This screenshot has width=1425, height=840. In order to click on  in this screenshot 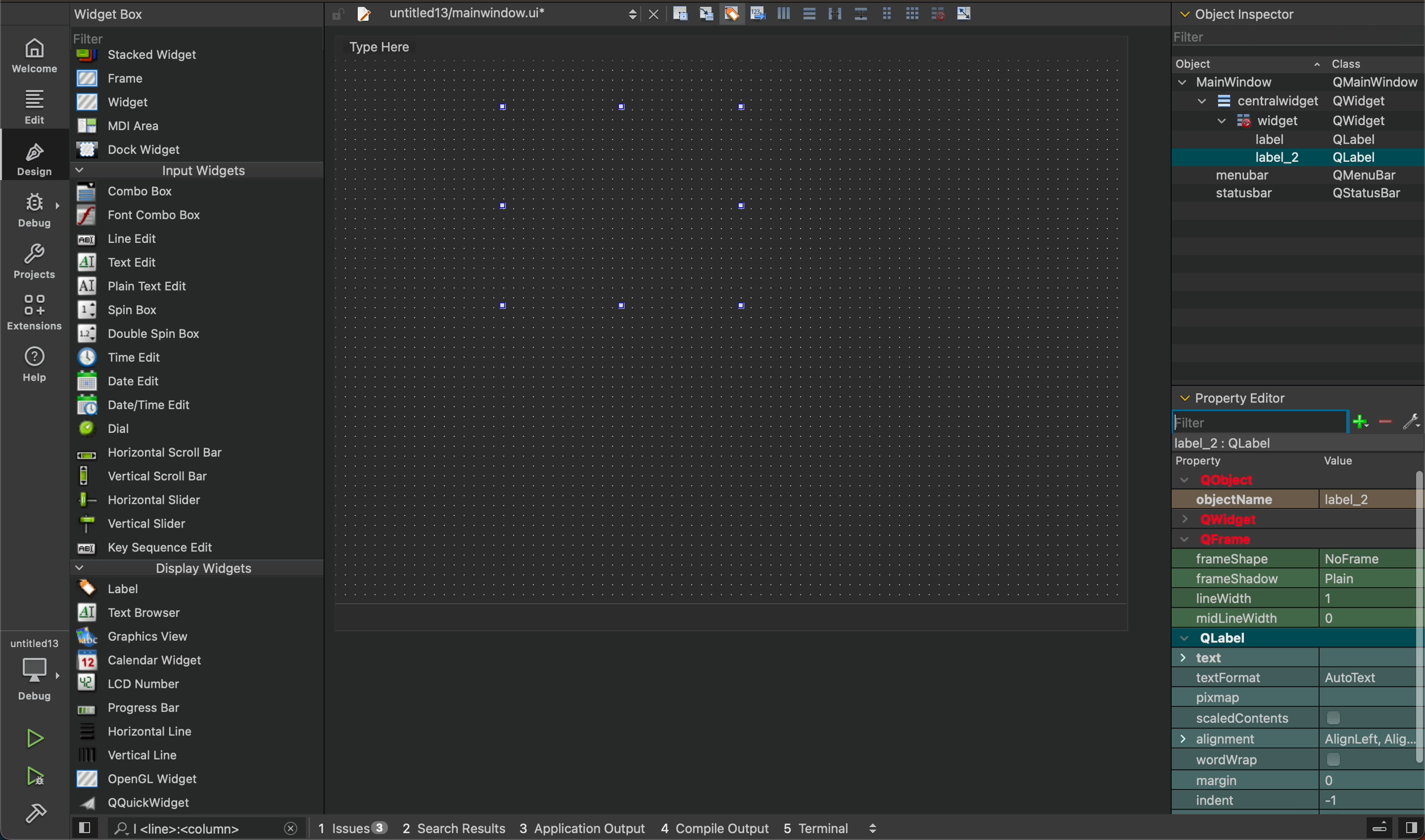, I will do `click(1296, 679)`.